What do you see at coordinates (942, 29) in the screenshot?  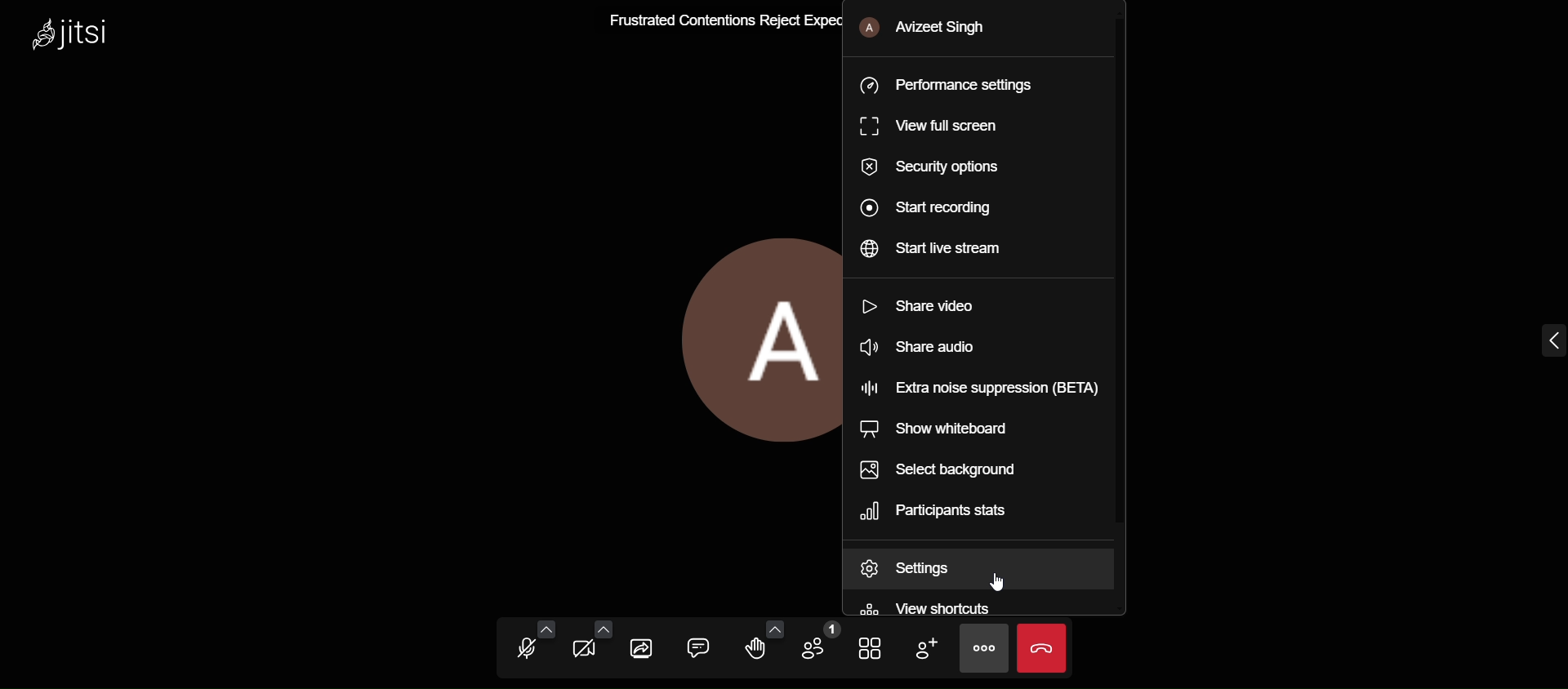 I see `Avizeet Singh` at bounding box center [942, 29].